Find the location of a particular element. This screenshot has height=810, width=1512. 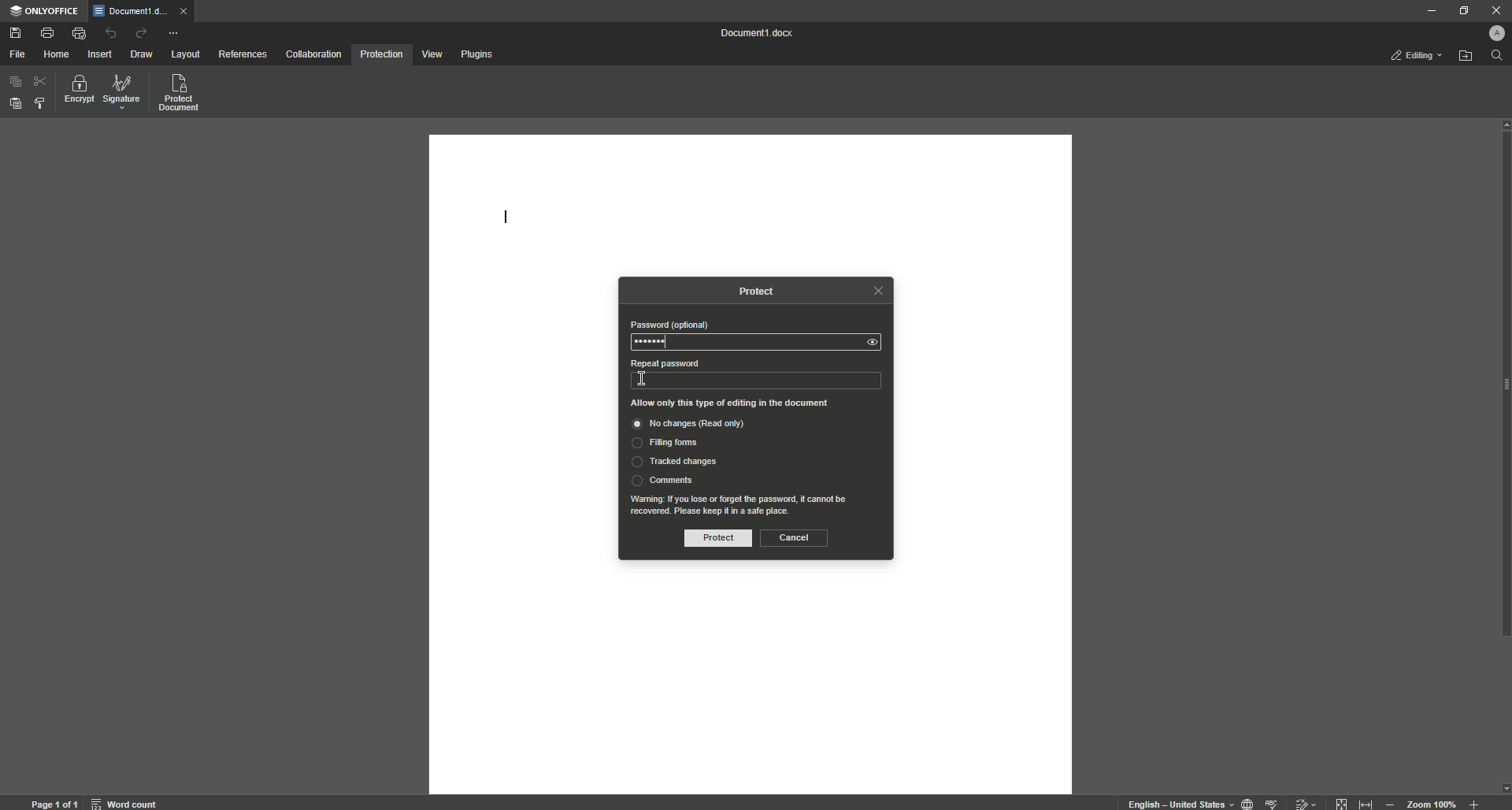

zoom 100% is located at coordinates (1433, 801).